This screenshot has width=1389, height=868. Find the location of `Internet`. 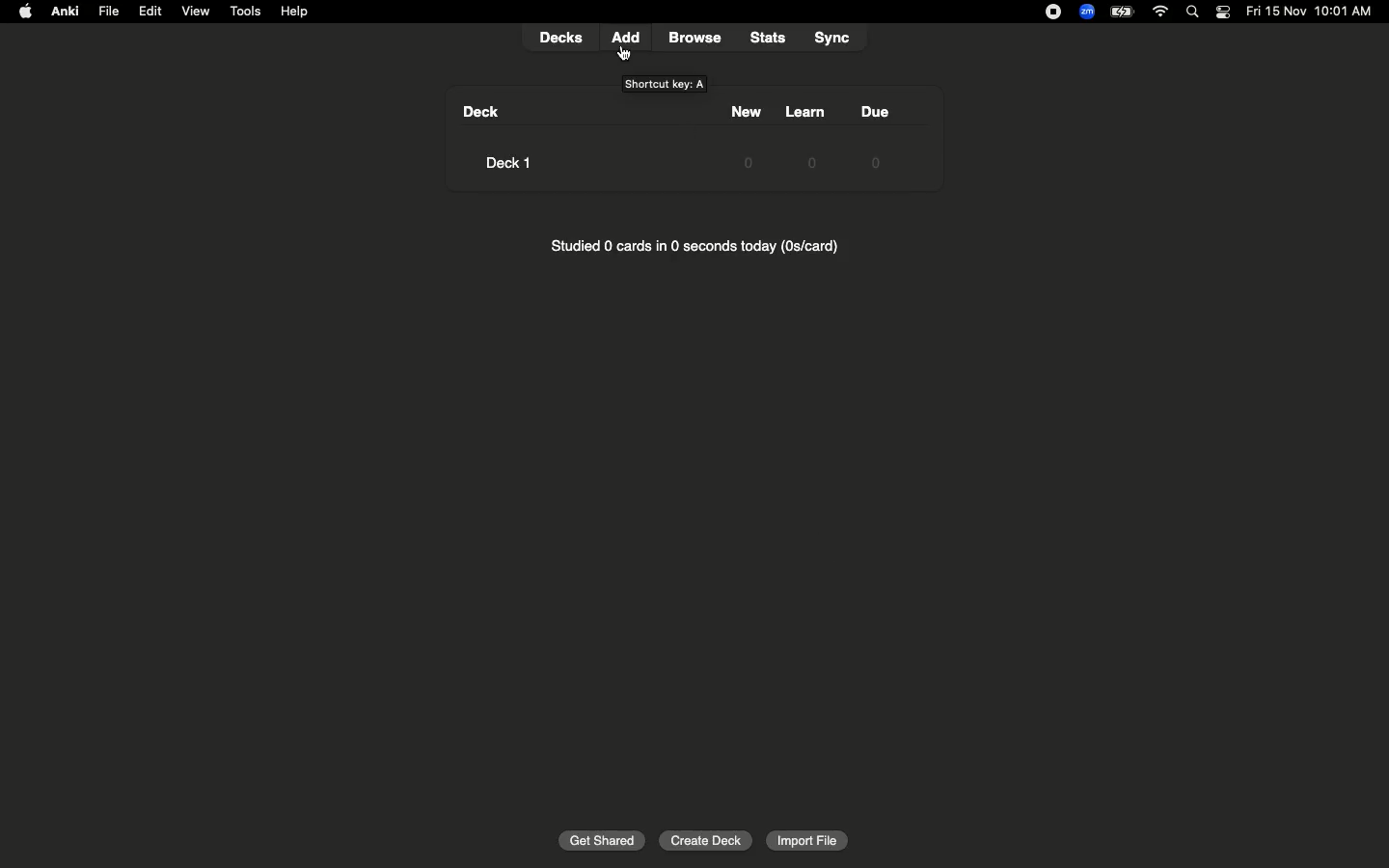

Internet is located at coordinates (1162, 13).